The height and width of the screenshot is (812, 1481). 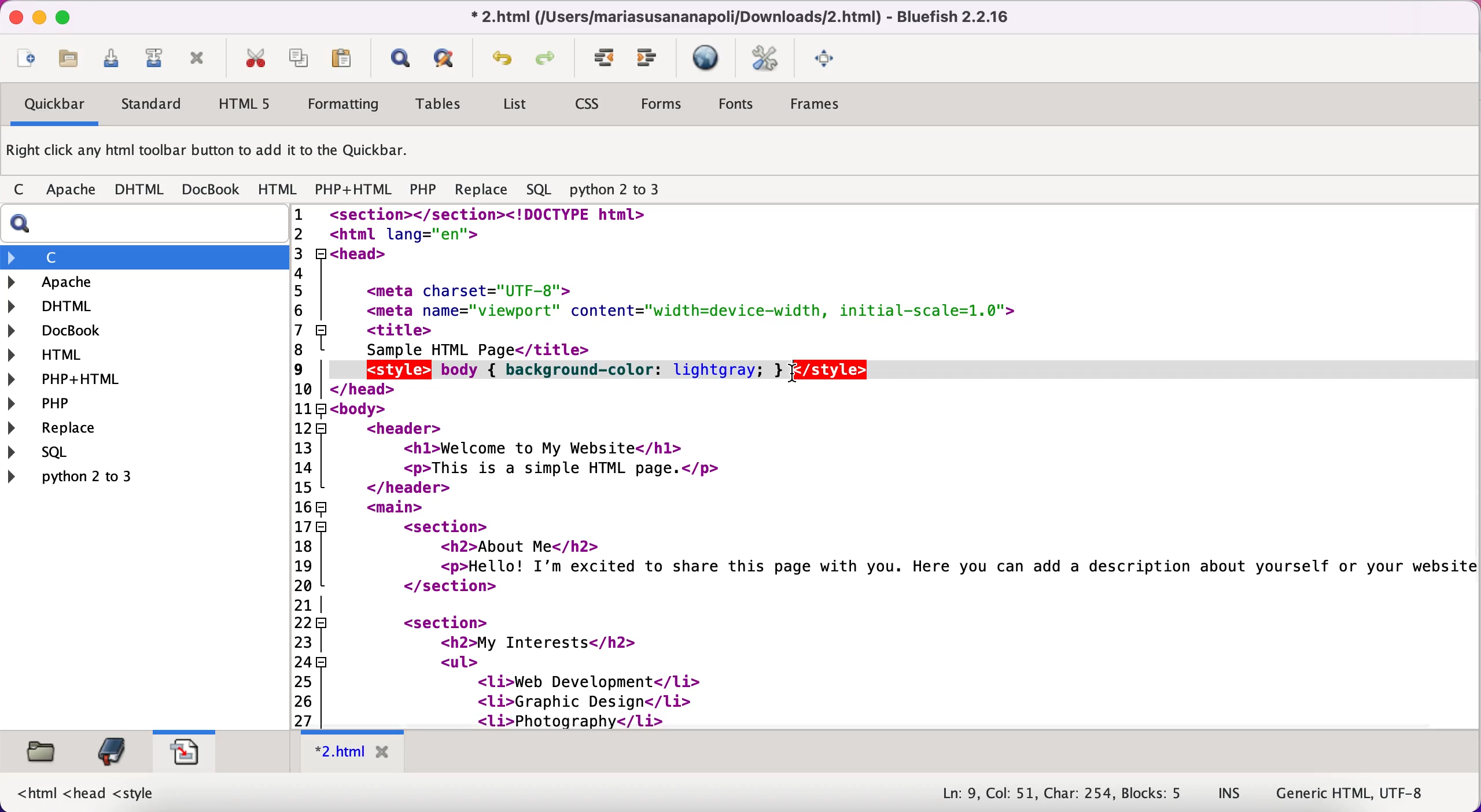 I want to click on list, so click(x=514, y=106).